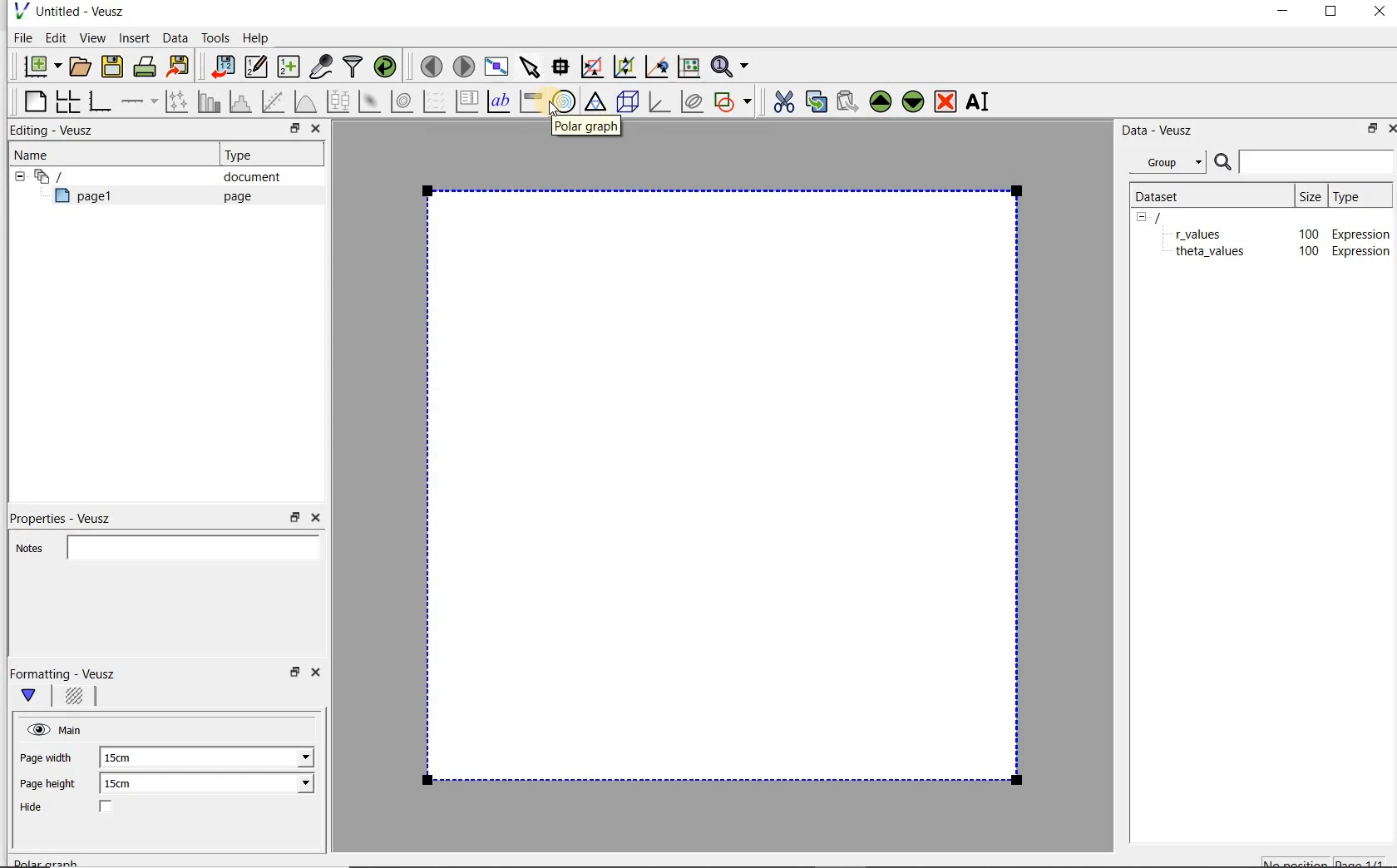  What do you see at coordinates (1358, 230) in the screenshot?
I see `Expression` at bounding box center [1358, 230].